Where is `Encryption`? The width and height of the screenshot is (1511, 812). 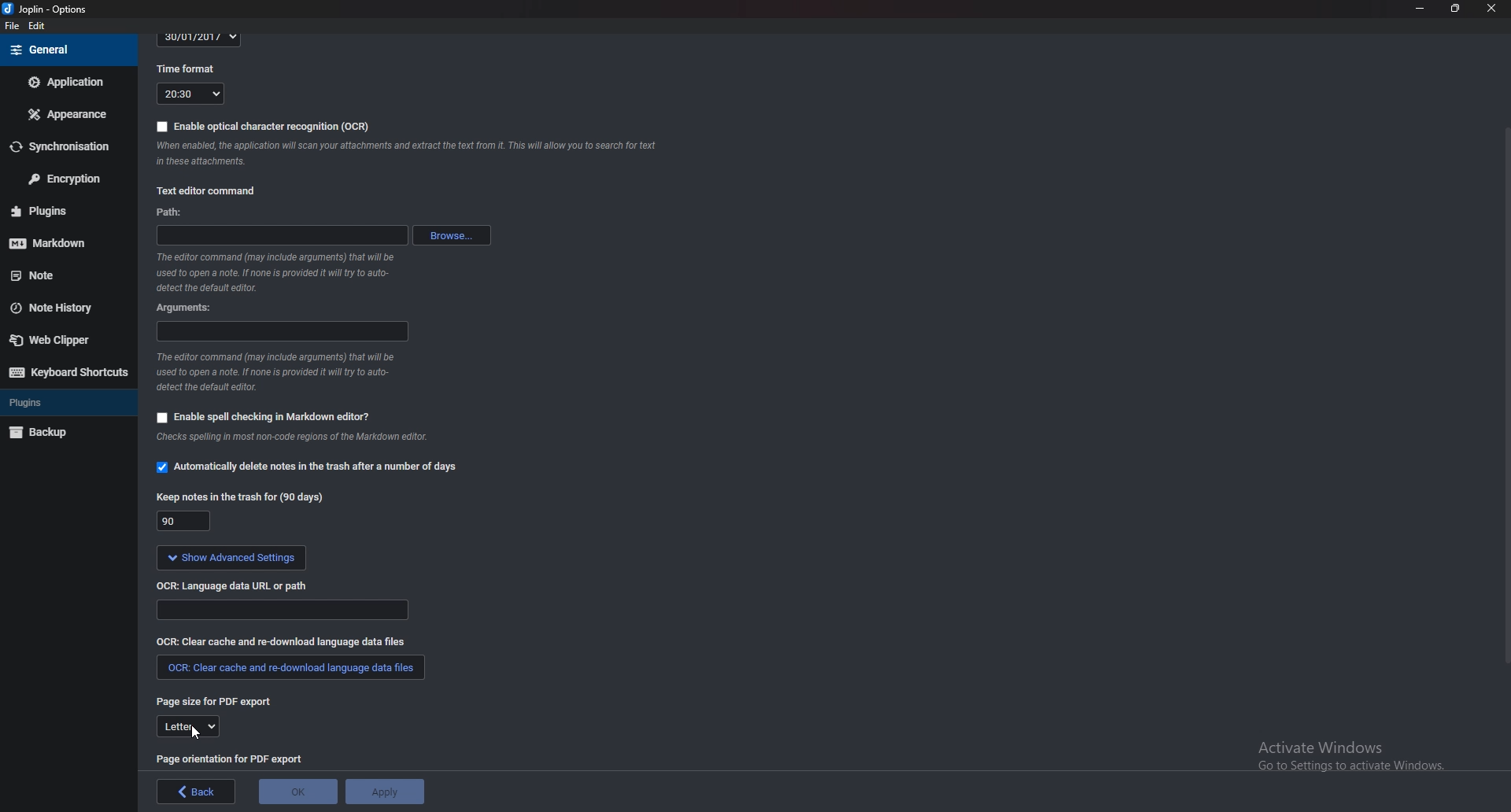
Encryption is located at coordinates (66, 177).